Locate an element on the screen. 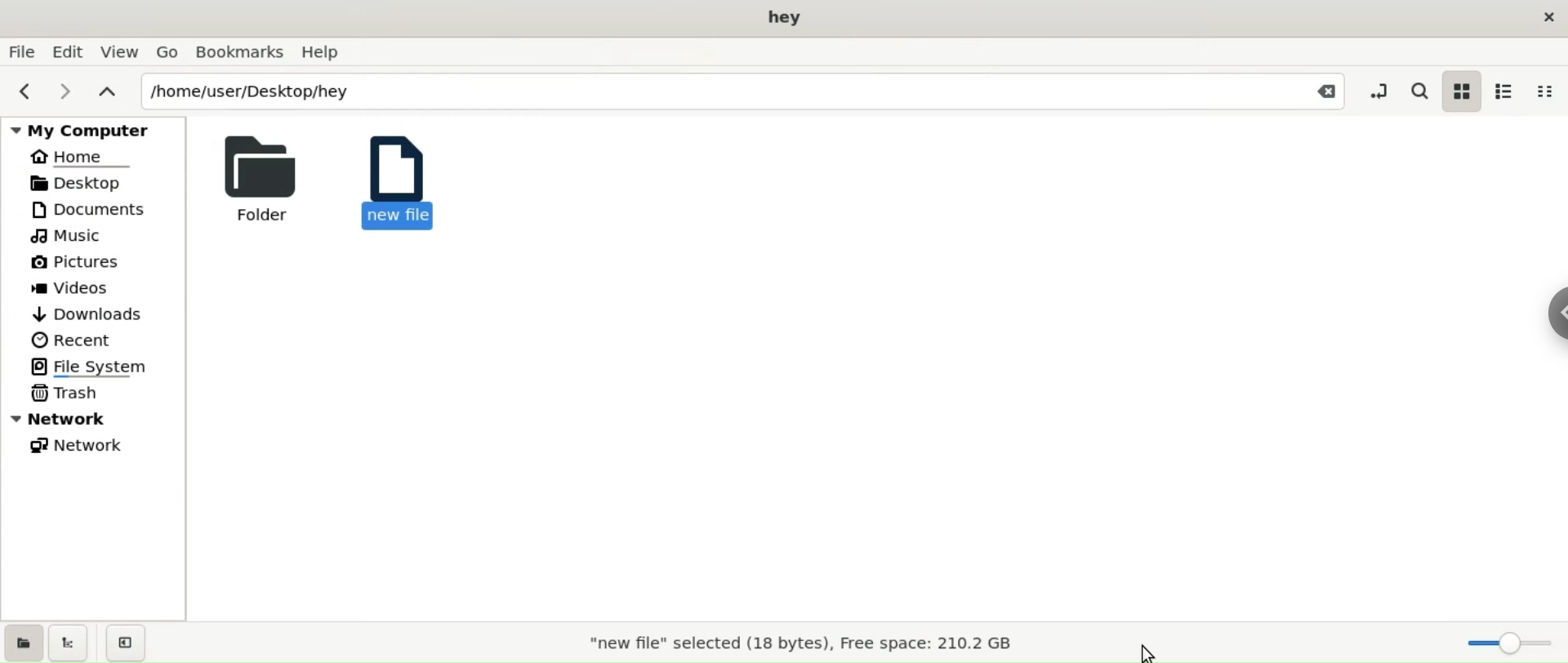 This screenshot has width=1568, height=663. Go is located at coordinates (167, 51).